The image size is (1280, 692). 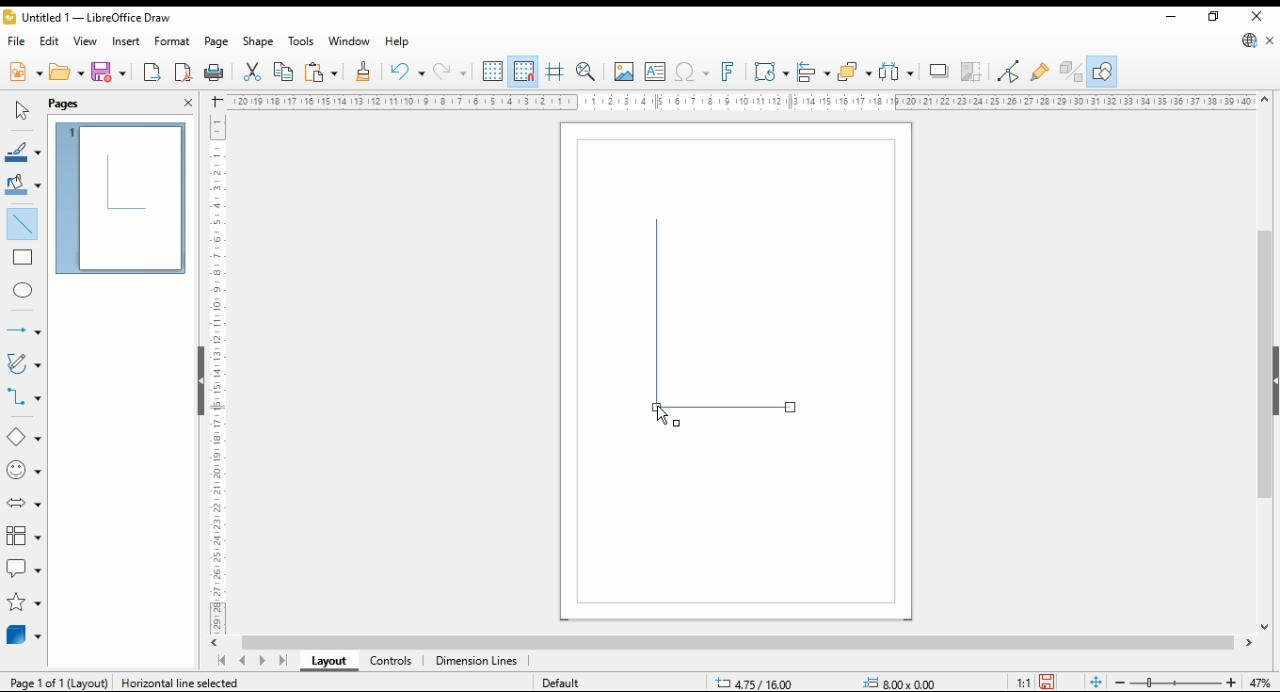 I want to click on format, so click(x=173, y=41).